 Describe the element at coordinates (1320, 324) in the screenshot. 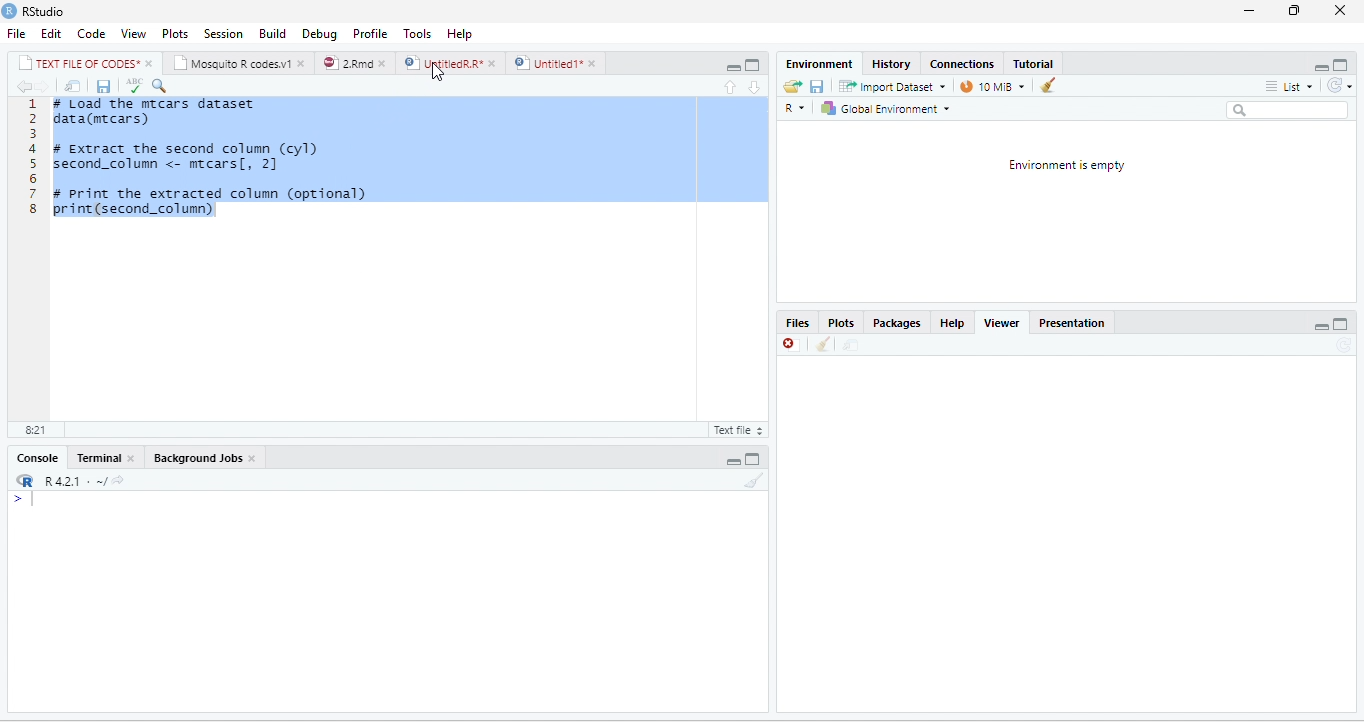

I see `minimize` at that location.